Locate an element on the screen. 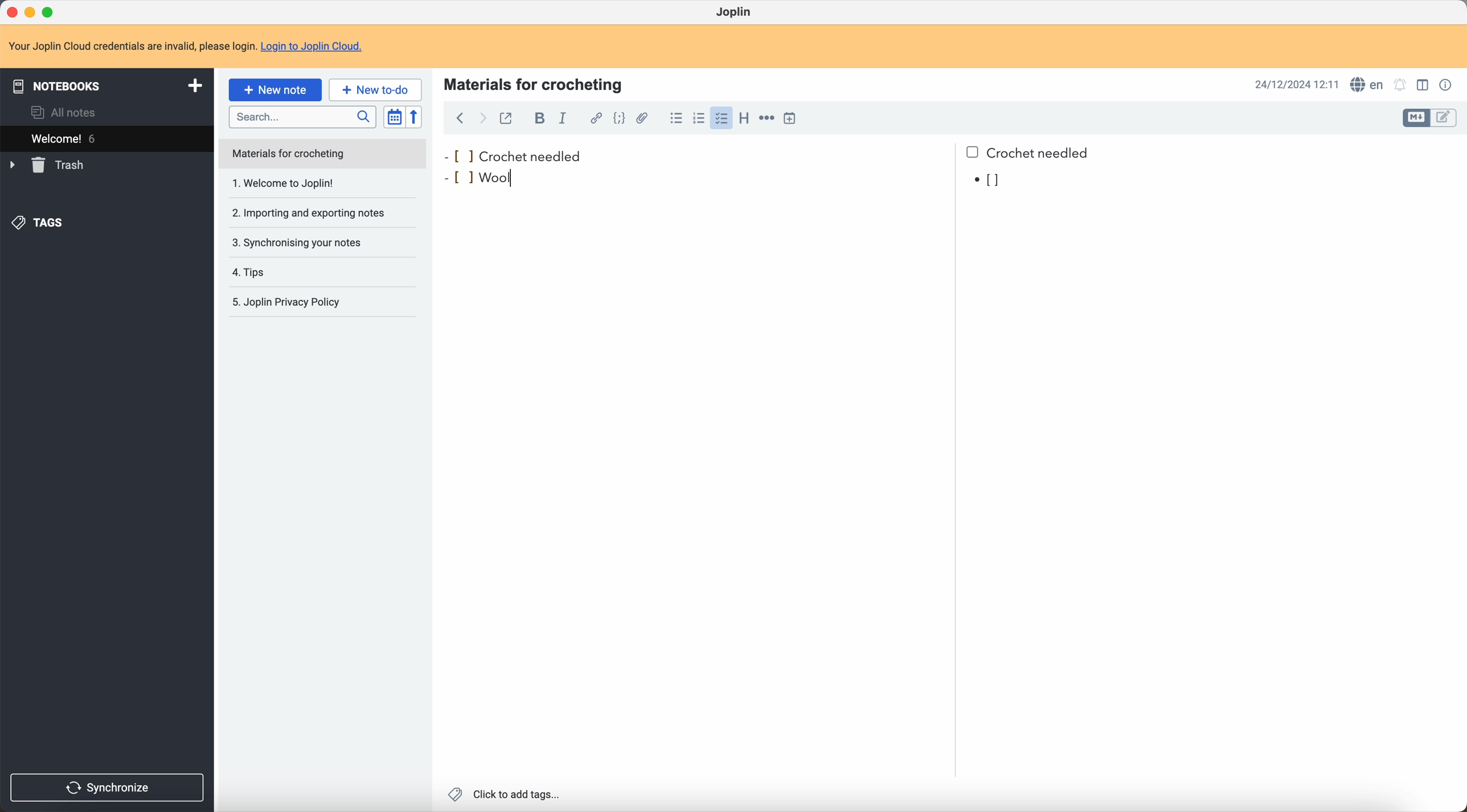  search bar is located at coordinates (302, 116).